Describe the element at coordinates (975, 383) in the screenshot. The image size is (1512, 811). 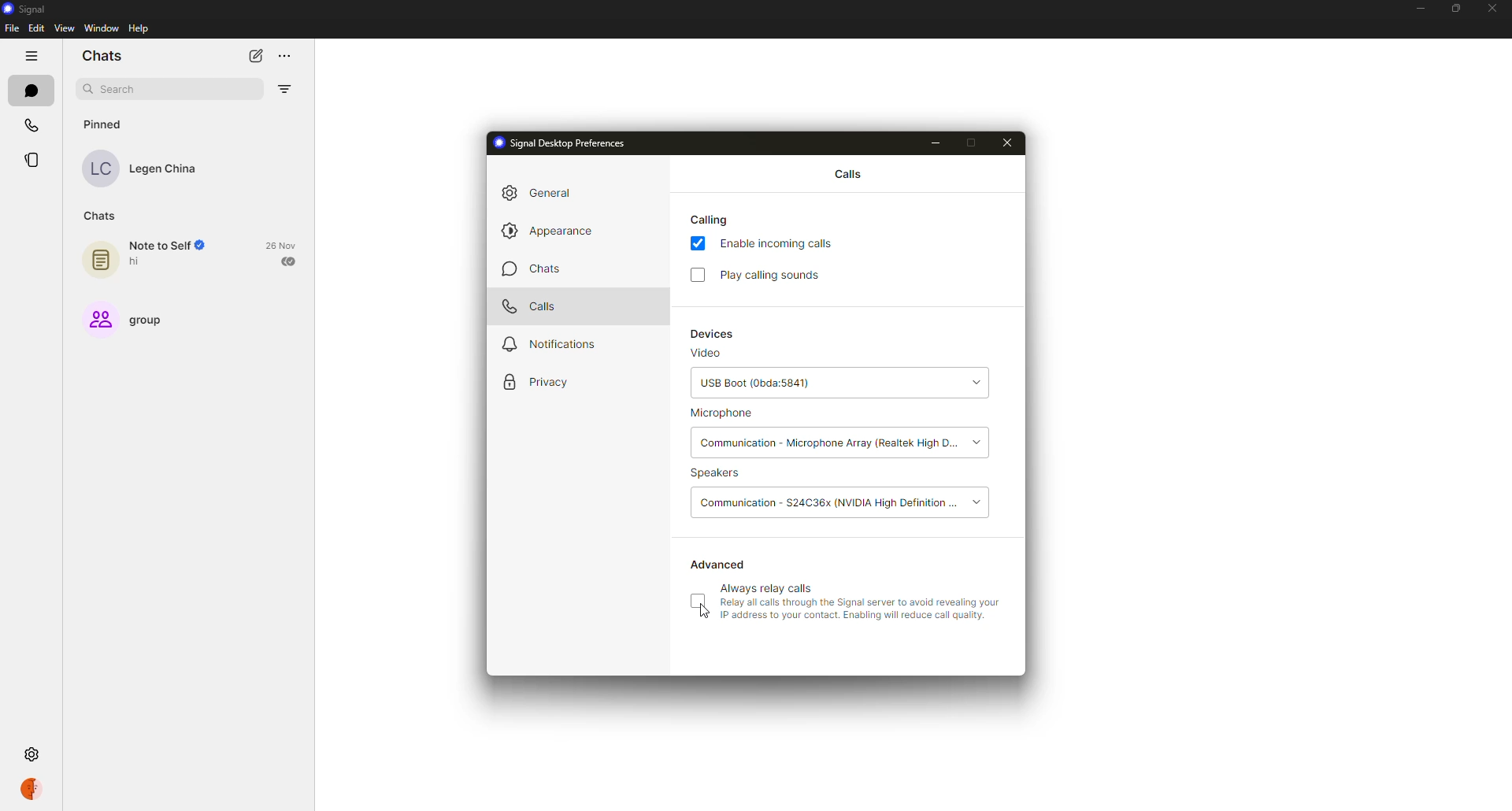
I see `drop down` at that location.